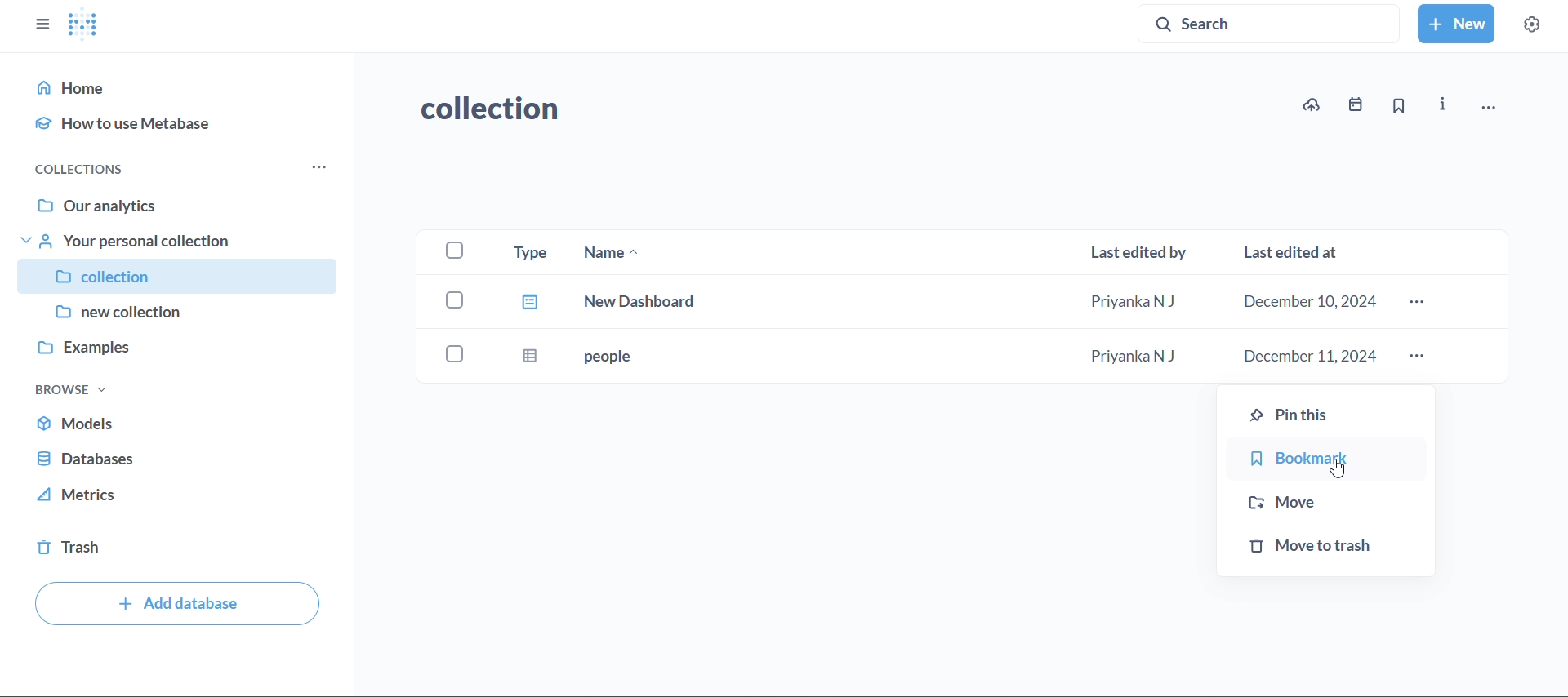 The image size is (1568, 697). What do you see at coordinates (488, 105) in the screenshot?
I see `collection` at bounding box center [488, 105].